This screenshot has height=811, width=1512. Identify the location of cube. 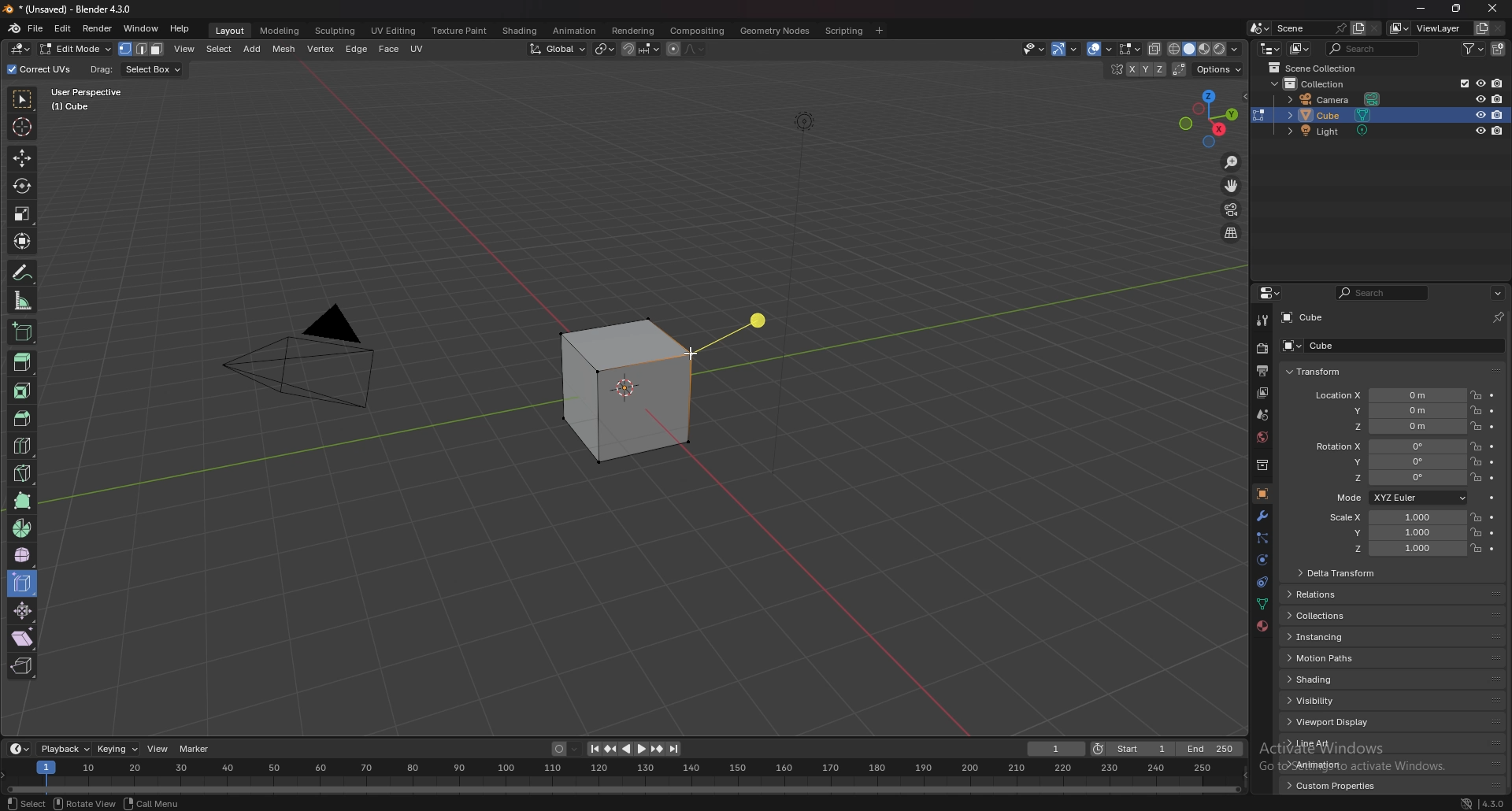
(1368, 346).